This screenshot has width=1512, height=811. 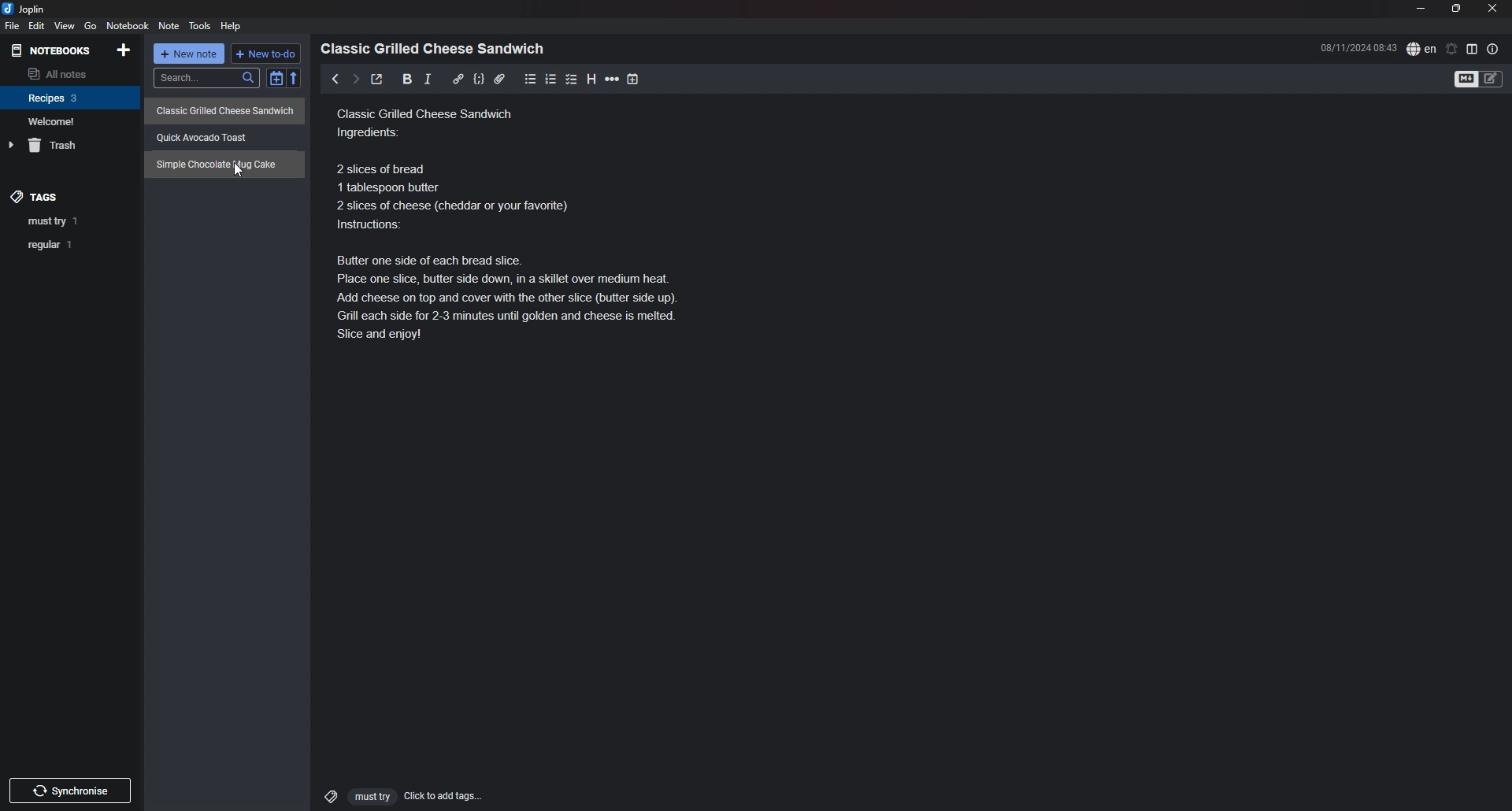 I want to click on toggle editor, so click(x=1480, y=80).